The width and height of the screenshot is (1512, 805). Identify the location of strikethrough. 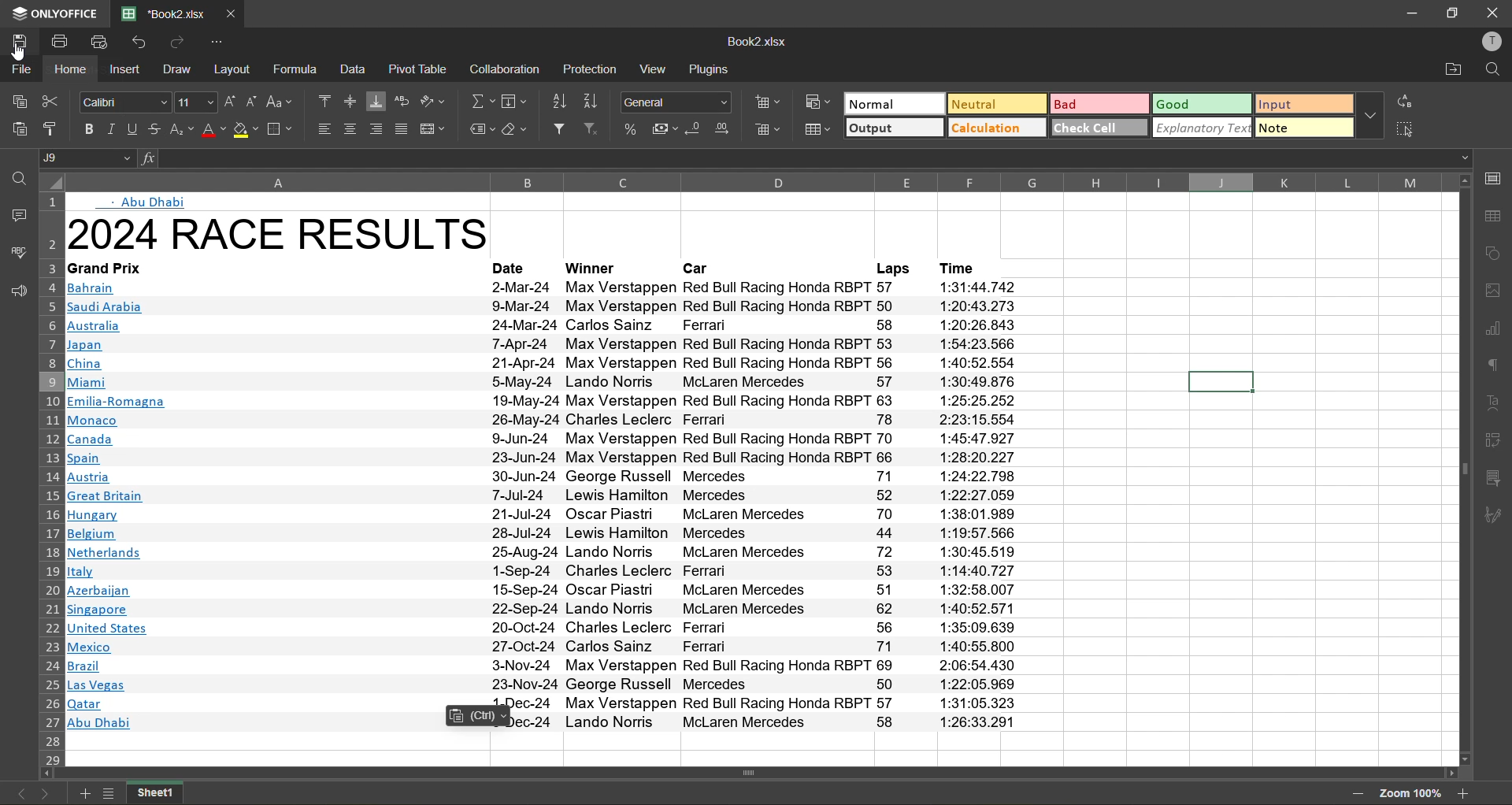
(154, 129).